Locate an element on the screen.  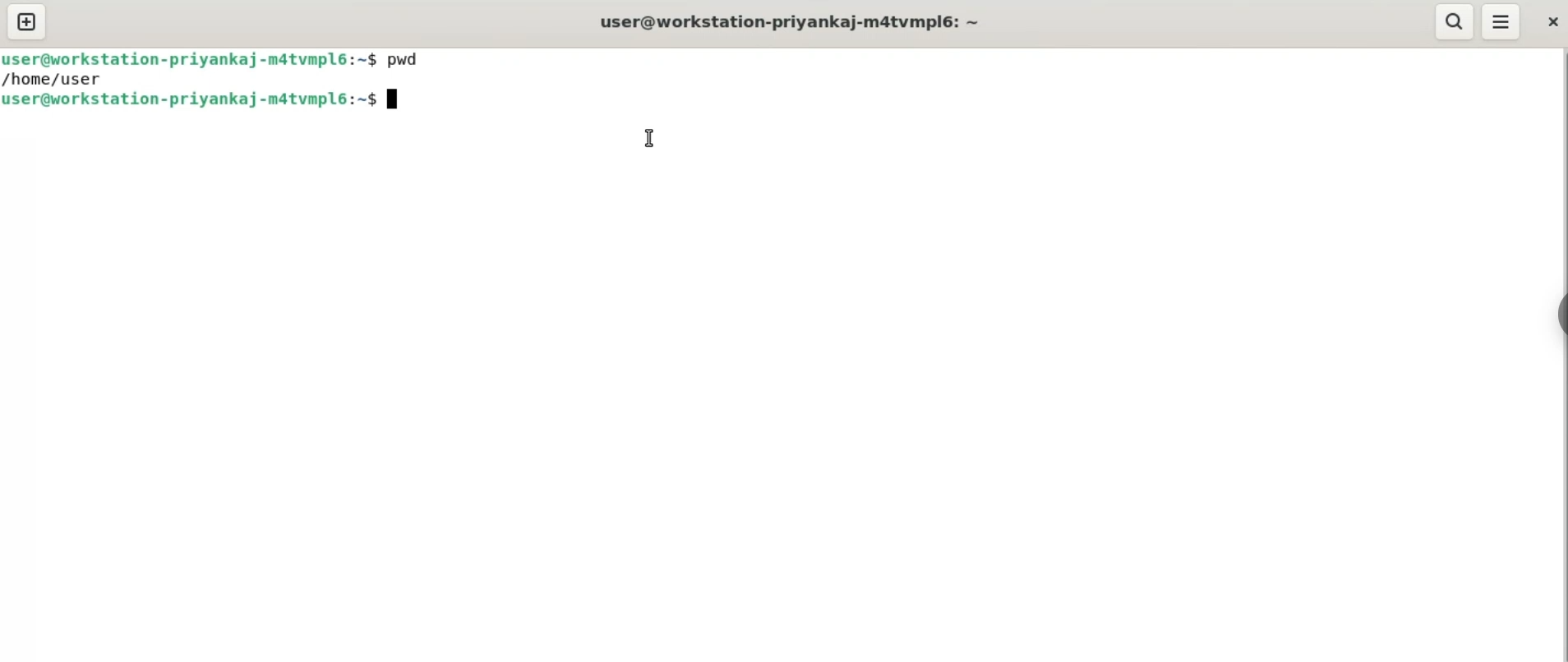
search is located at coordinates (1454, 22).